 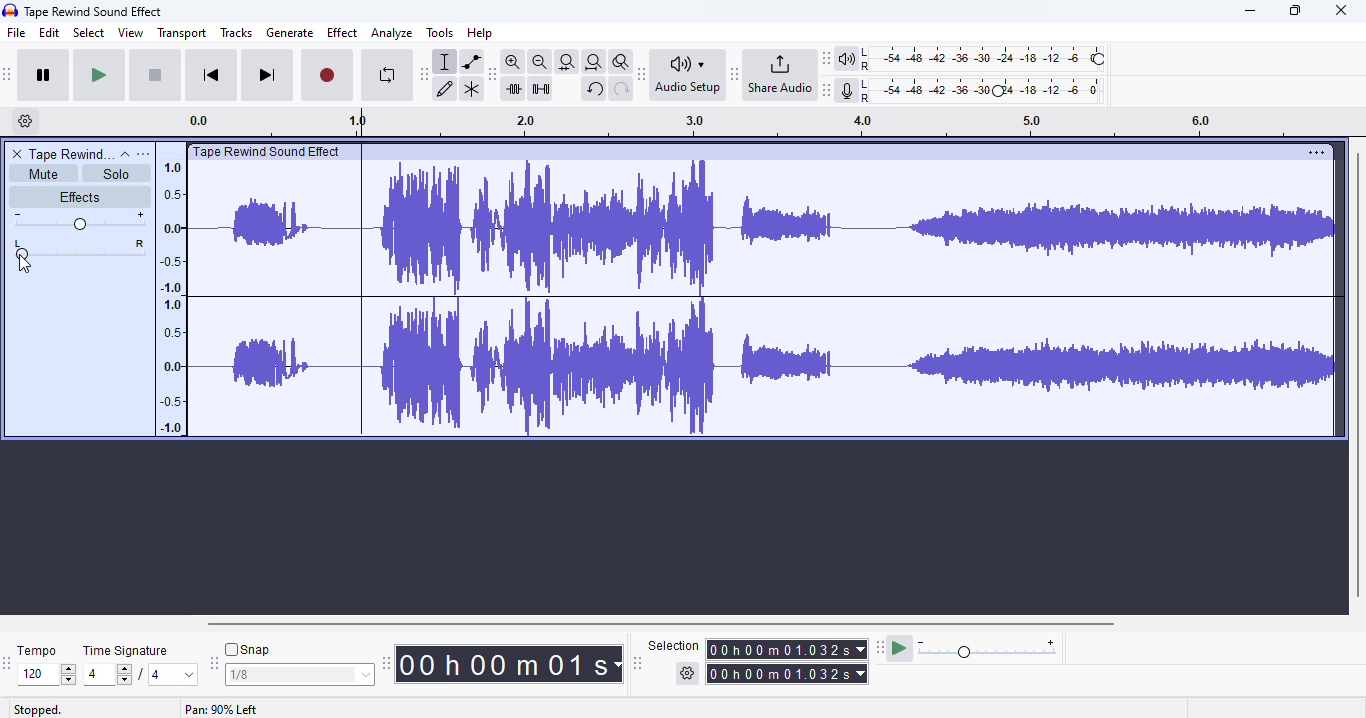 I want to click on tempo, so click(x=36, y=650).